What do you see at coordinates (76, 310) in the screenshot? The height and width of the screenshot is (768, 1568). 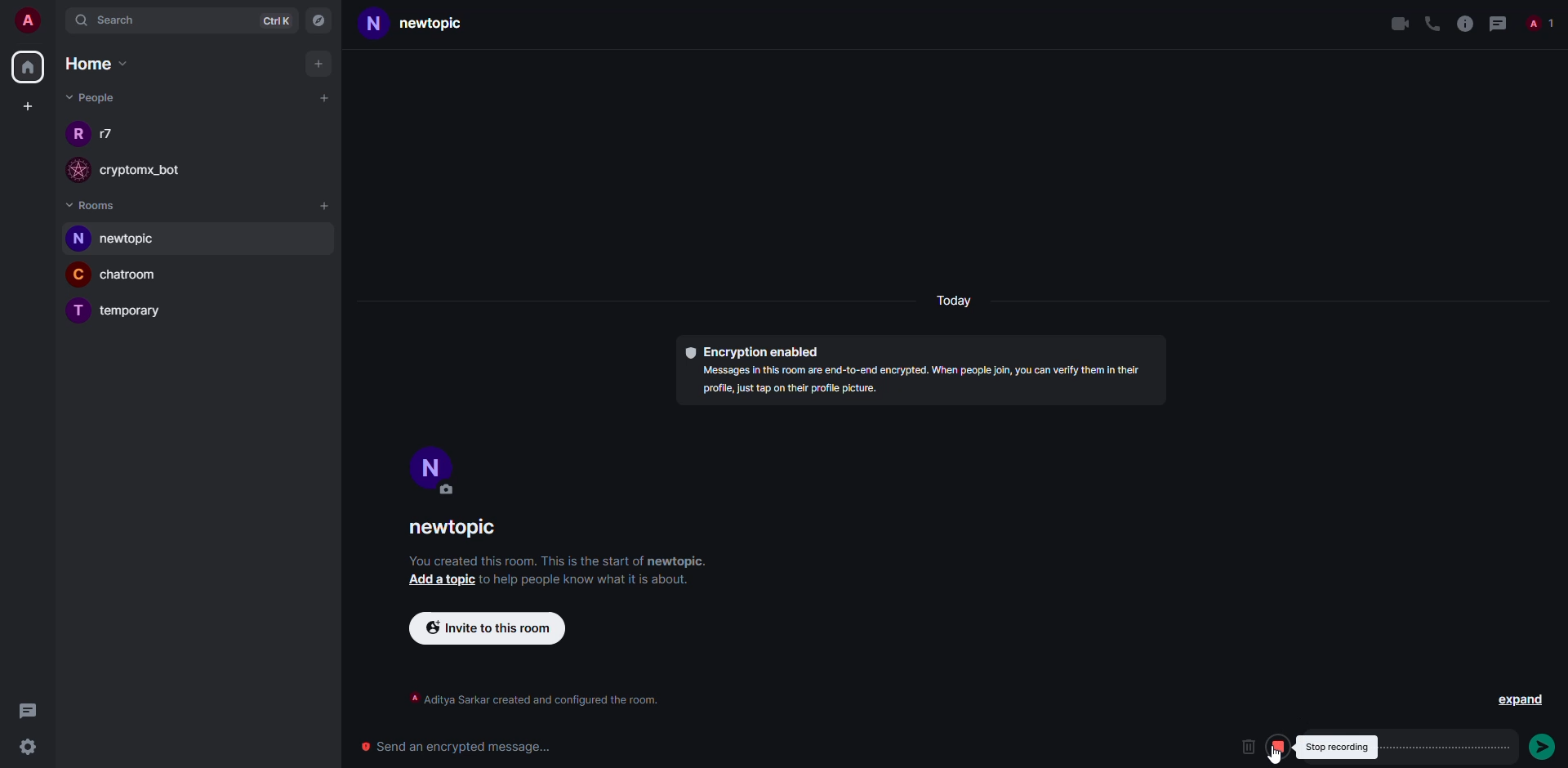 I see `T` at bounding box center [76, 310].